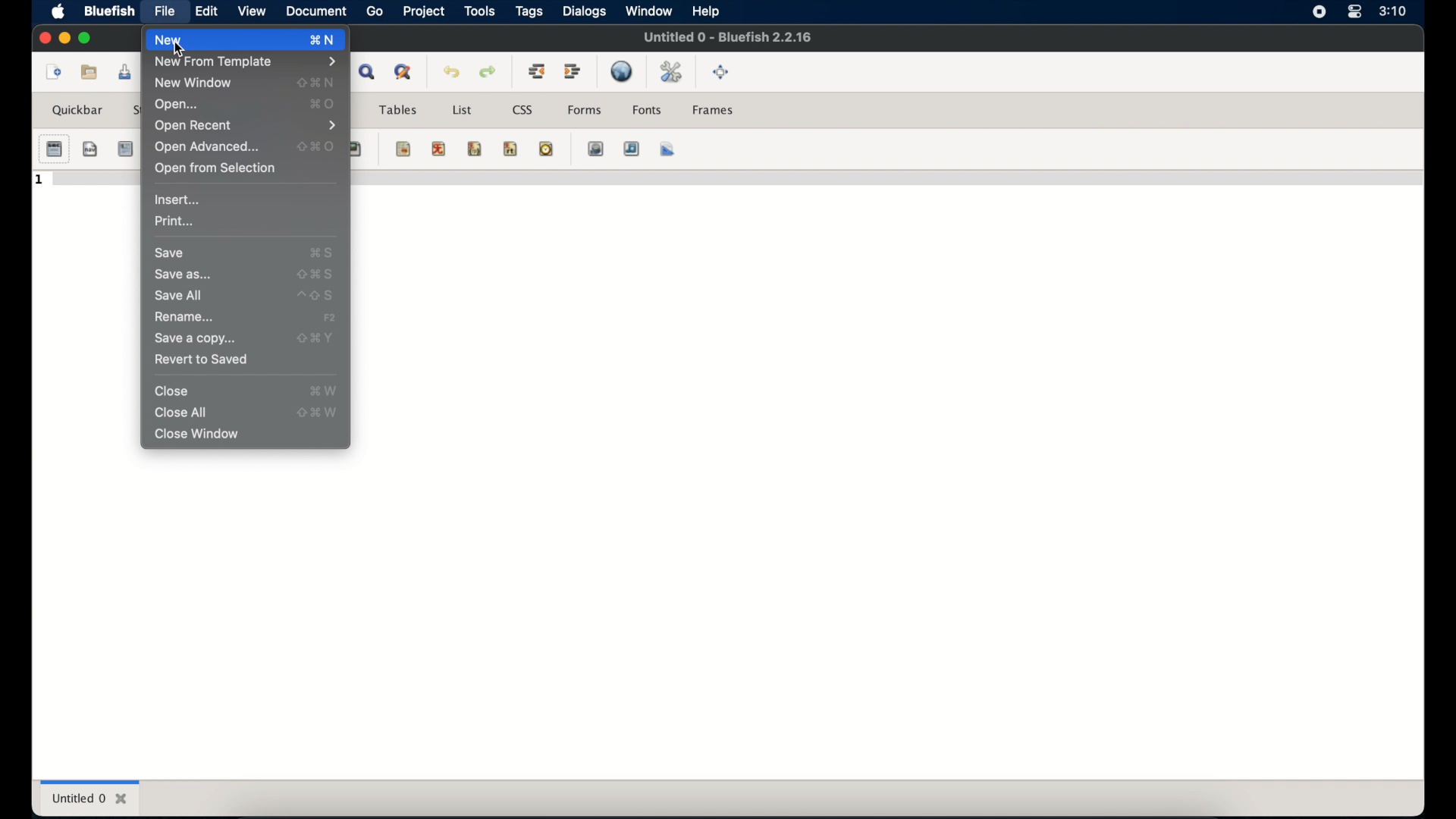  What do you see at coordinates (178, 296) in the screenshot?
I see `save all` at bounding box center [178, 296].